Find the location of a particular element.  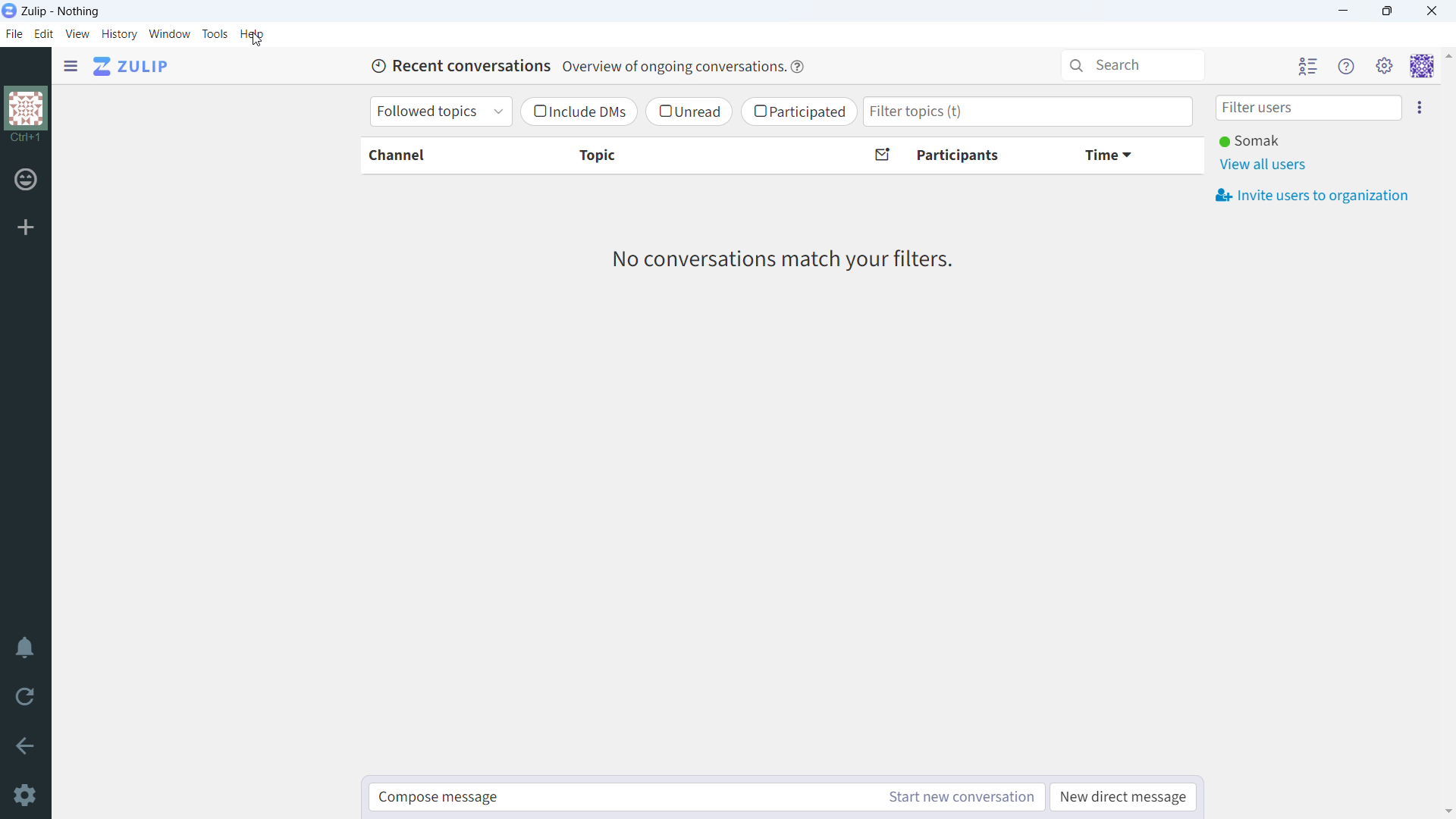

compose message is located at coordinates (623, 797).